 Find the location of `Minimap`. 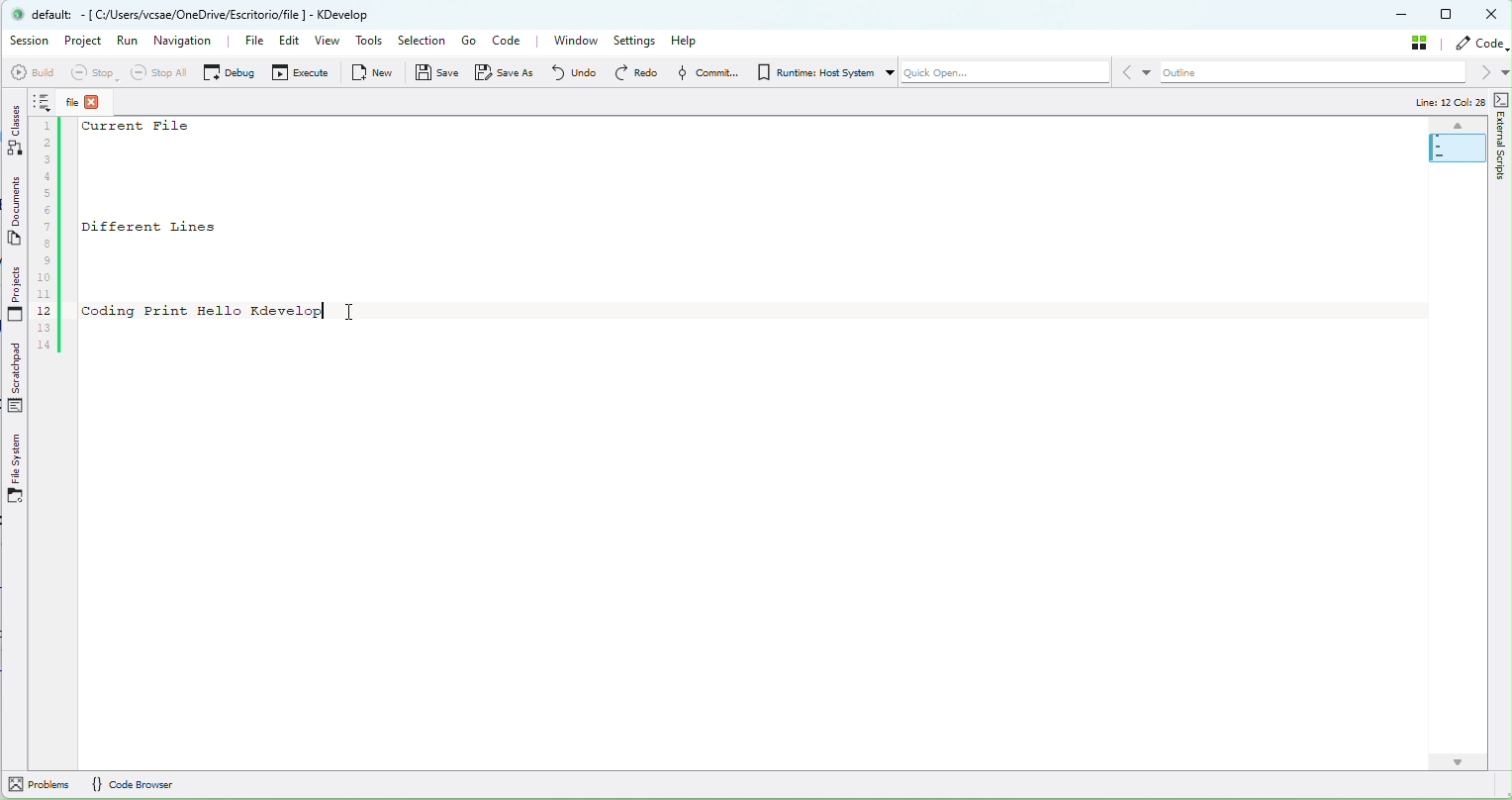

Minimap is located at coordinates (1457, 143).